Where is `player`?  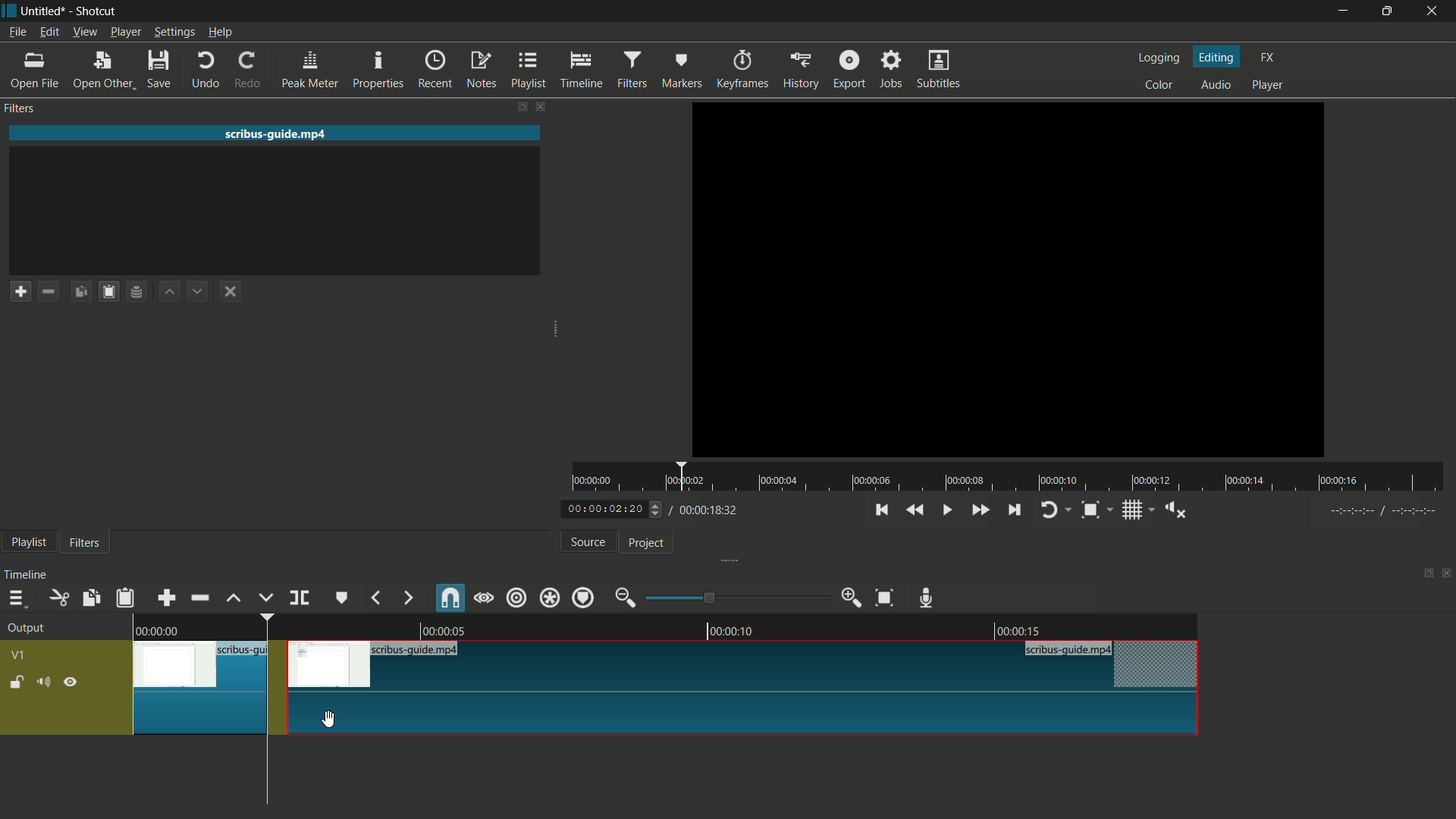
player is located at coordinates (1267, 84).